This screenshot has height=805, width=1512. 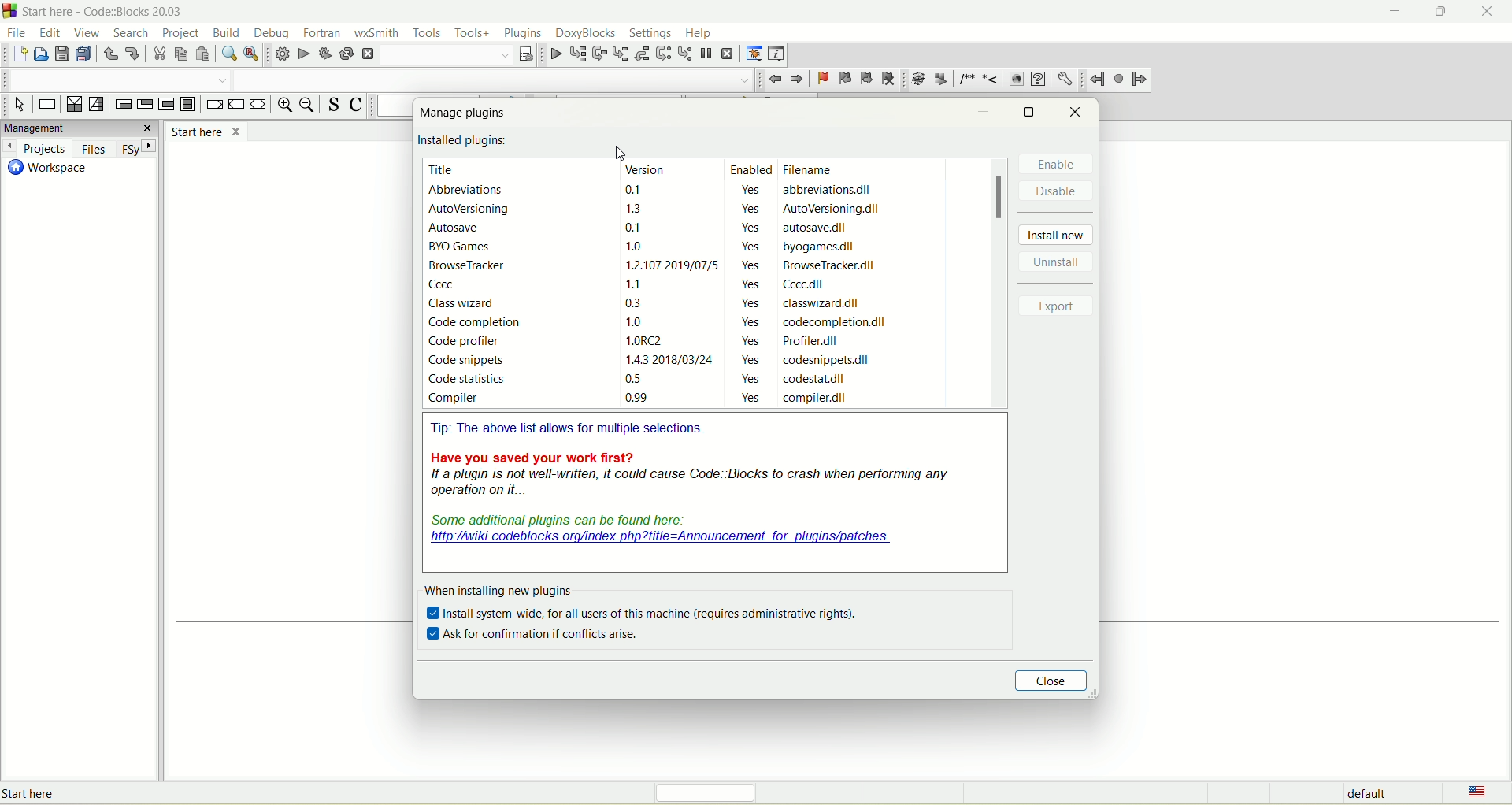 I want to click on maximize, so click(x=1445, y=9).